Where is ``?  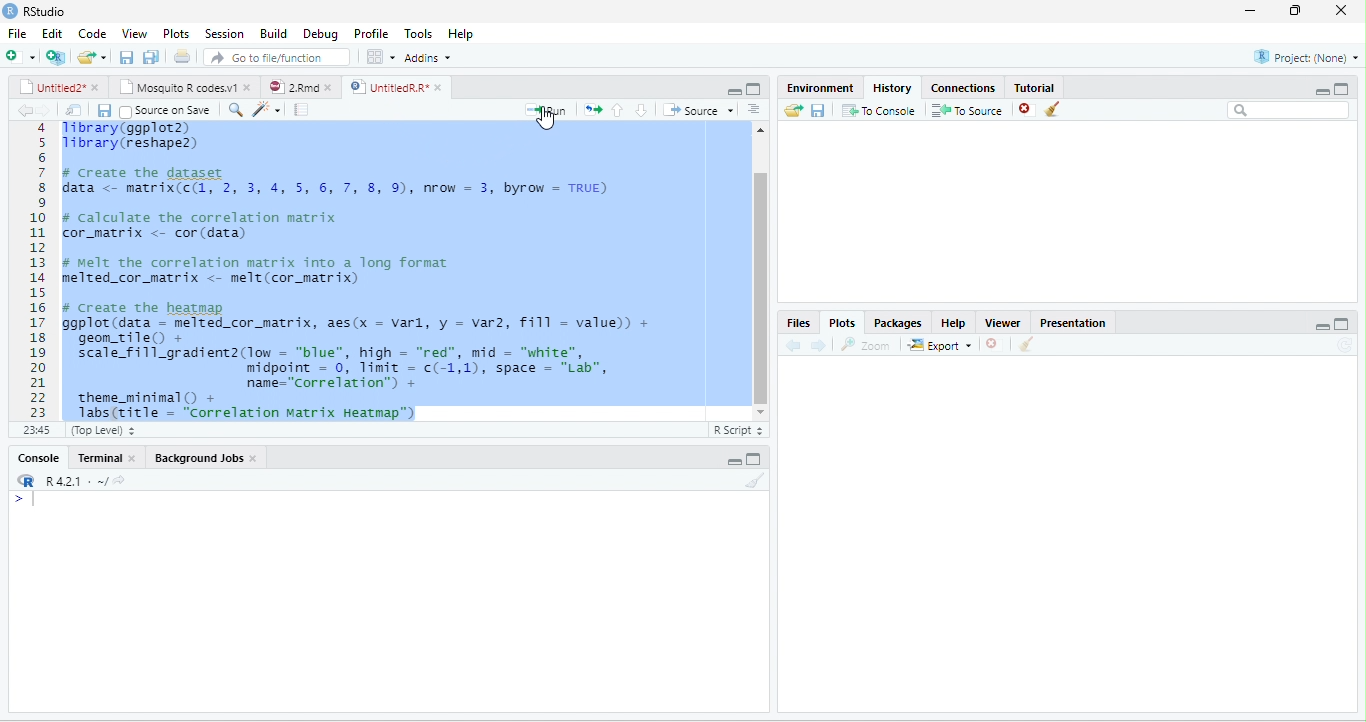  is located at coordinates (644, 108).